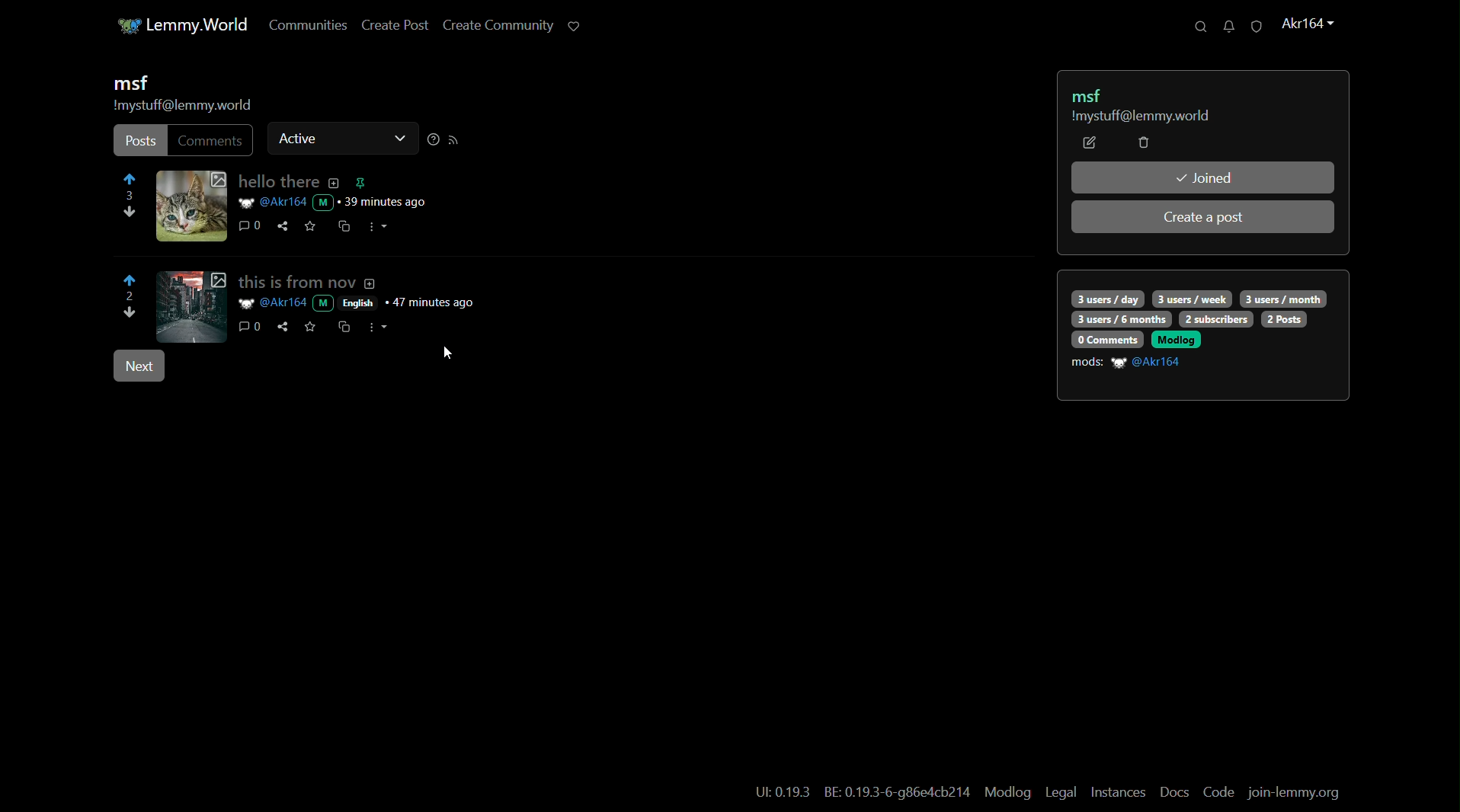  Describe the element at coordinates (182, 107) in the screenshot. I see `community server` at that location.